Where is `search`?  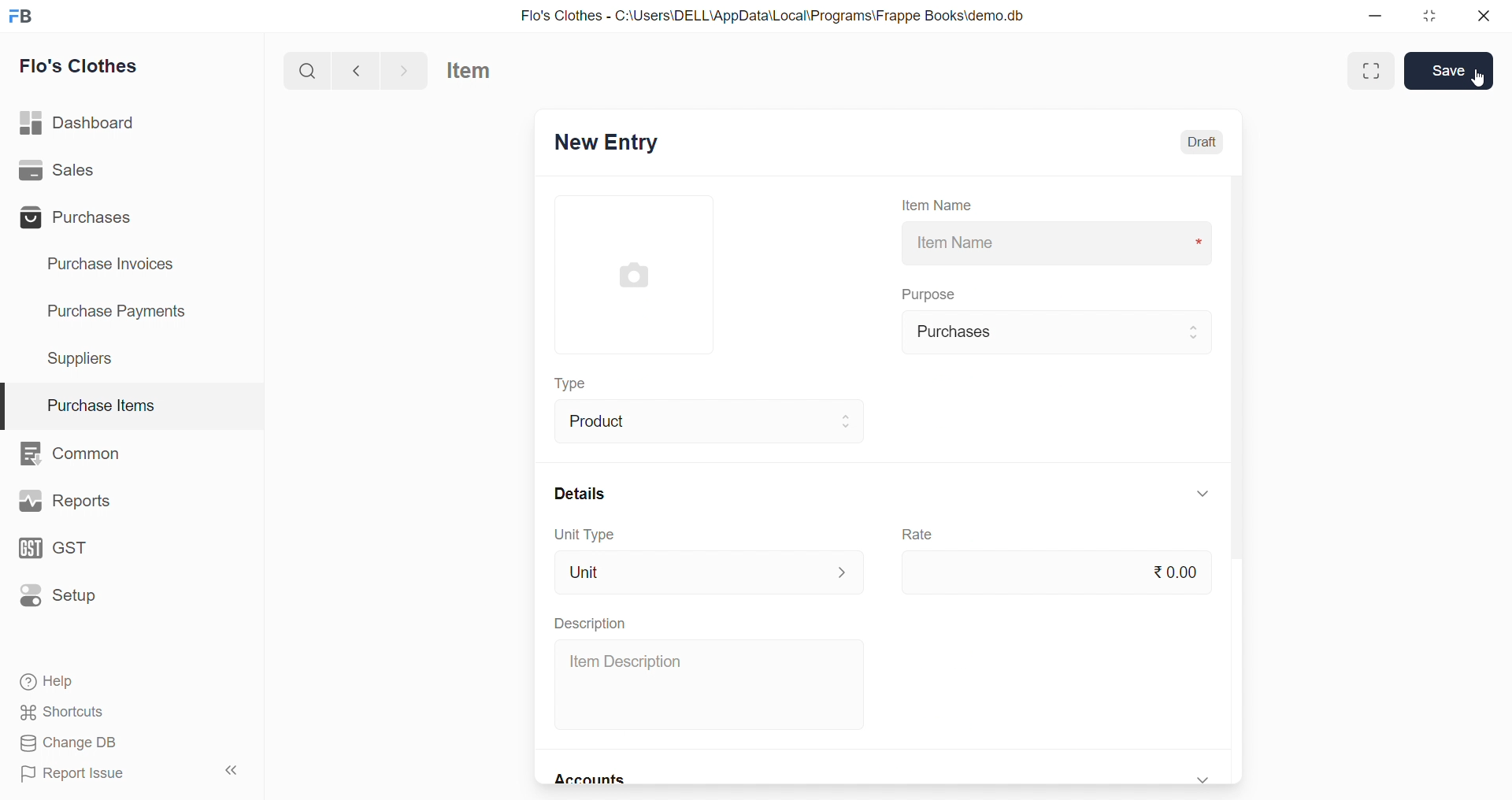 search is located at coordinates (306, 69).